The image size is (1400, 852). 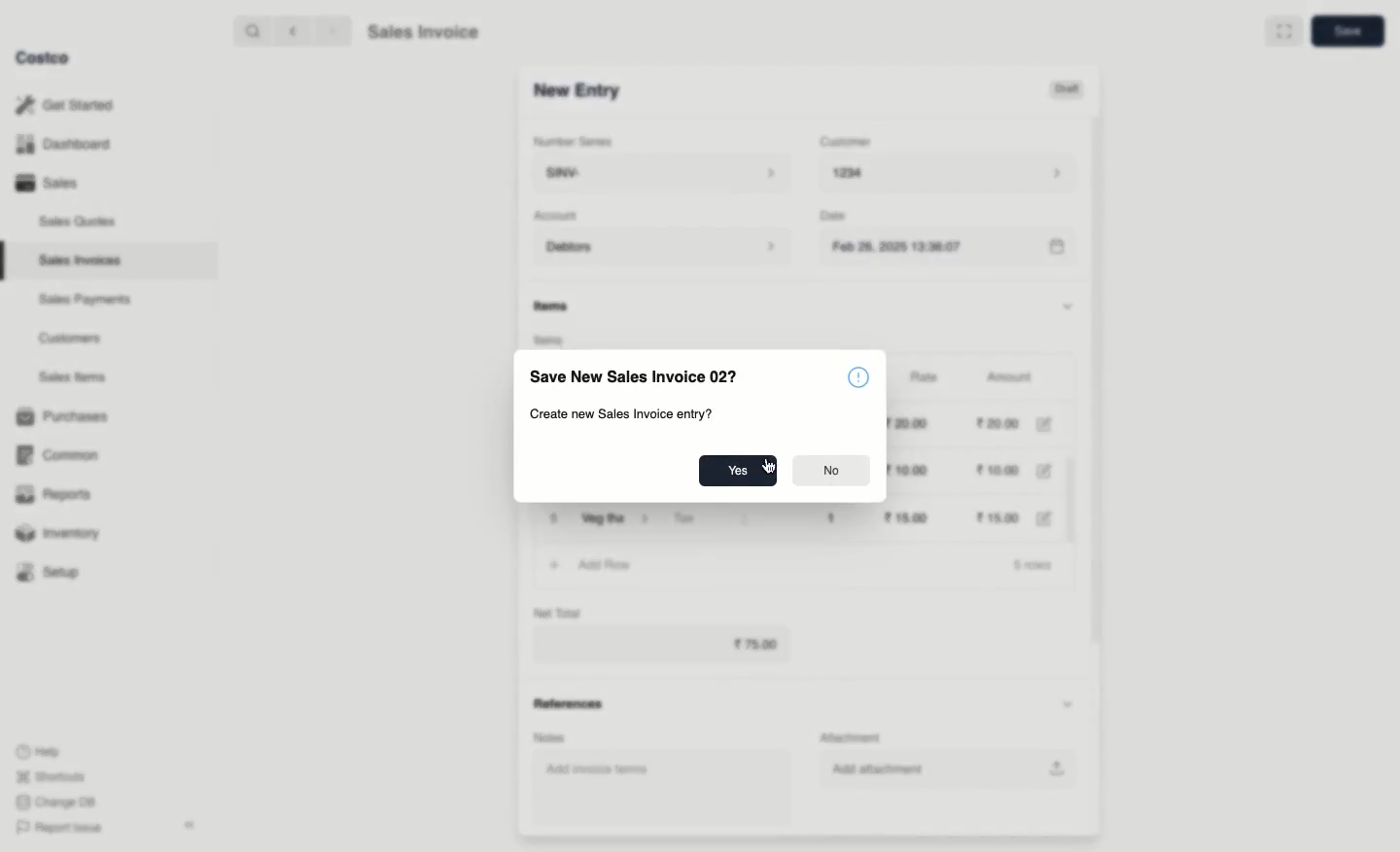 What do you see at coordinates (46, 183) in the screenshot?
I see `Sales` at bounding box center [46, 183].